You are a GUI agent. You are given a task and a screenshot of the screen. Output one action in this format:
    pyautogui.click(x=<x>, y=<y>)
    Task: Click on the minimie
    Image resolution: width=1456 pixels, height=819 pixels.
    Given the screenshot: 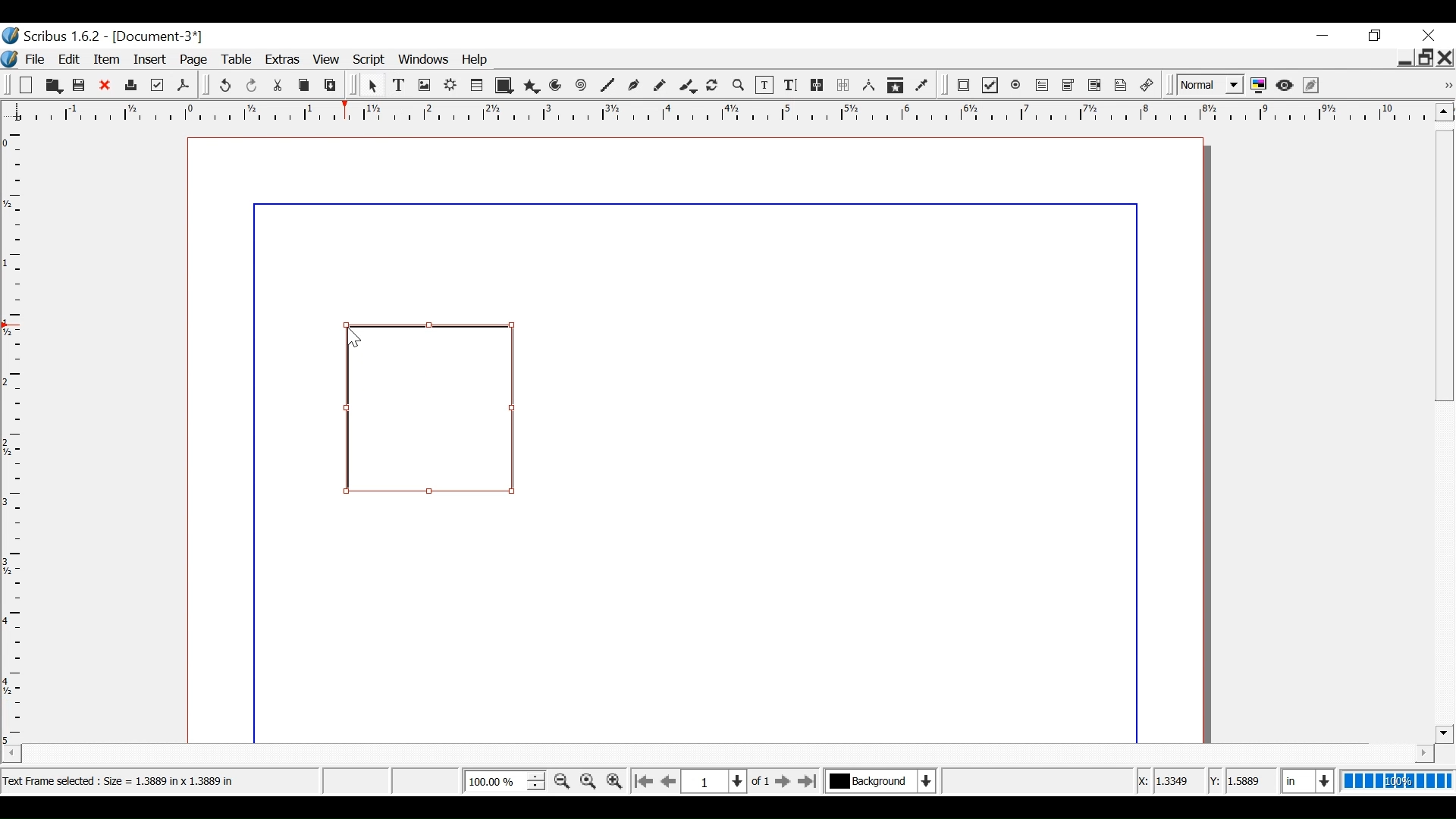 What is the action you would take?
    pyautogui.click(x=1404, y=57)
    